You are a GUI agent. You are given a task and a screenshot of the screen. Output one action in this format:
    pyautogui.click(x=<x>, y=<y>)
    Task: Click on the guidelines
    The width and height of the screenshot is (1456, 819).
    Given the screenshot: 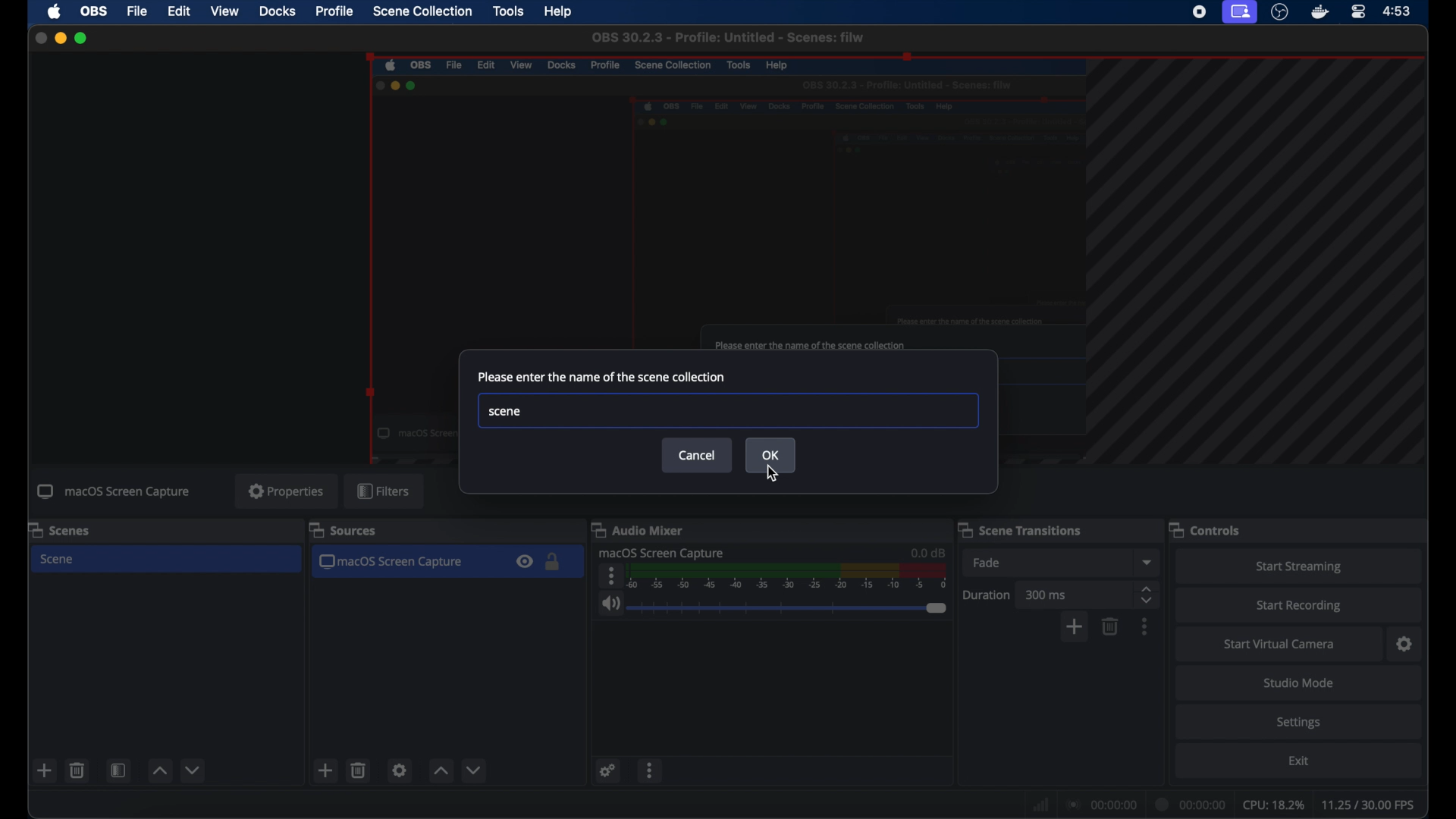 What is the action you would take?
    pyautogui.click(x=1262, y=265)
    